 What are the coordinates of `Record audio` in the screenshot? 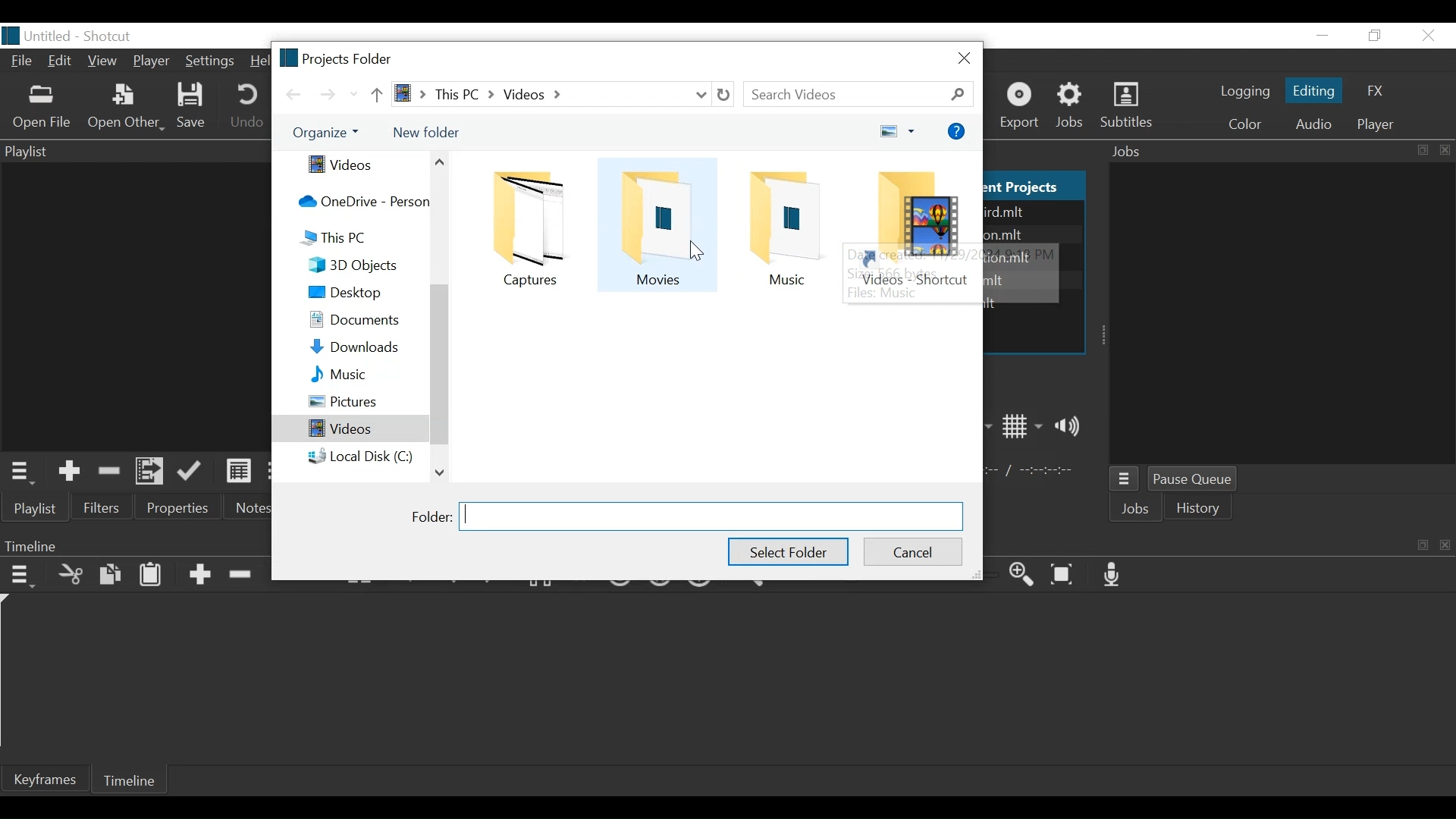 It's located at (1116, 575).